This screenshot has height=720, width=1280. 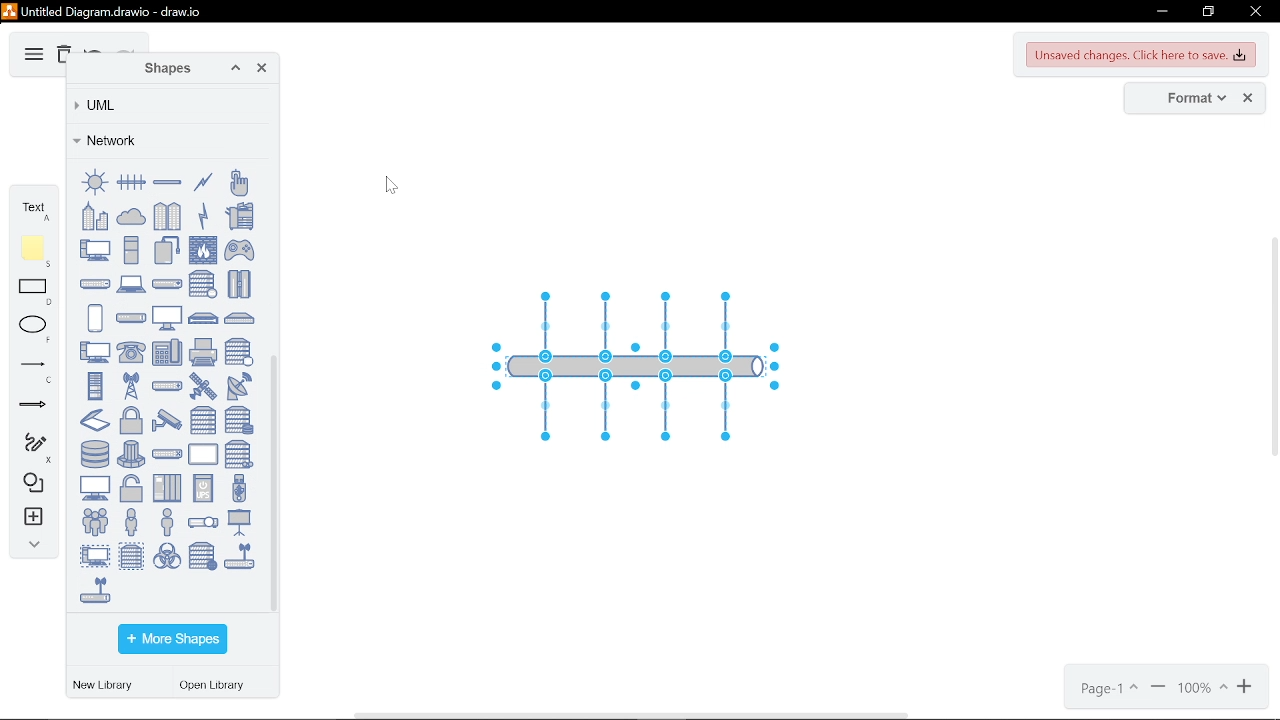 I want to click on mainframe, so click(x=239, y=284).